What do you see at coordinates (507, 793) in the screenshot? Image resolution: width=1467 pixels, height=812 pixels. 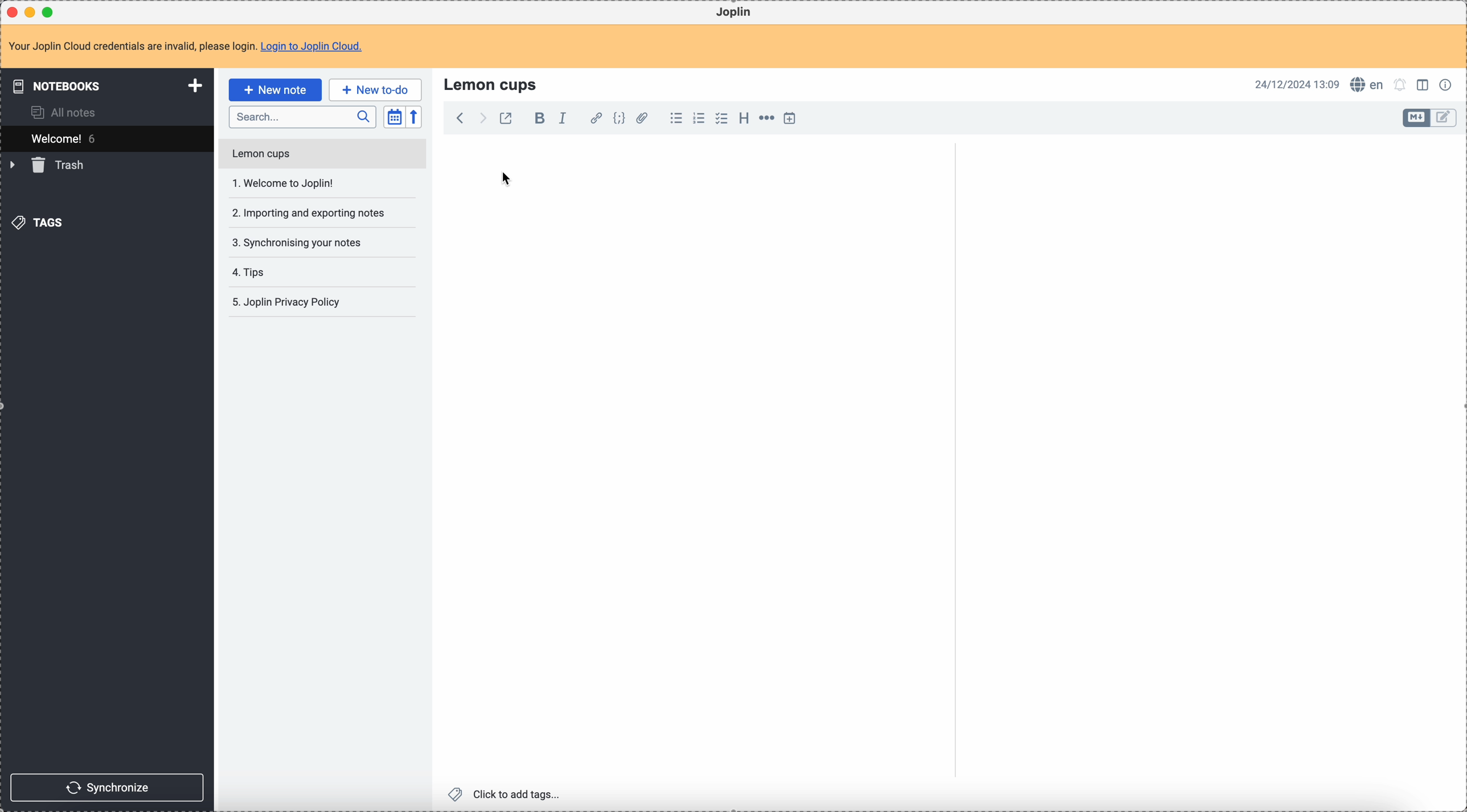 I see `click to add tags` at bounding box center [507, 793].